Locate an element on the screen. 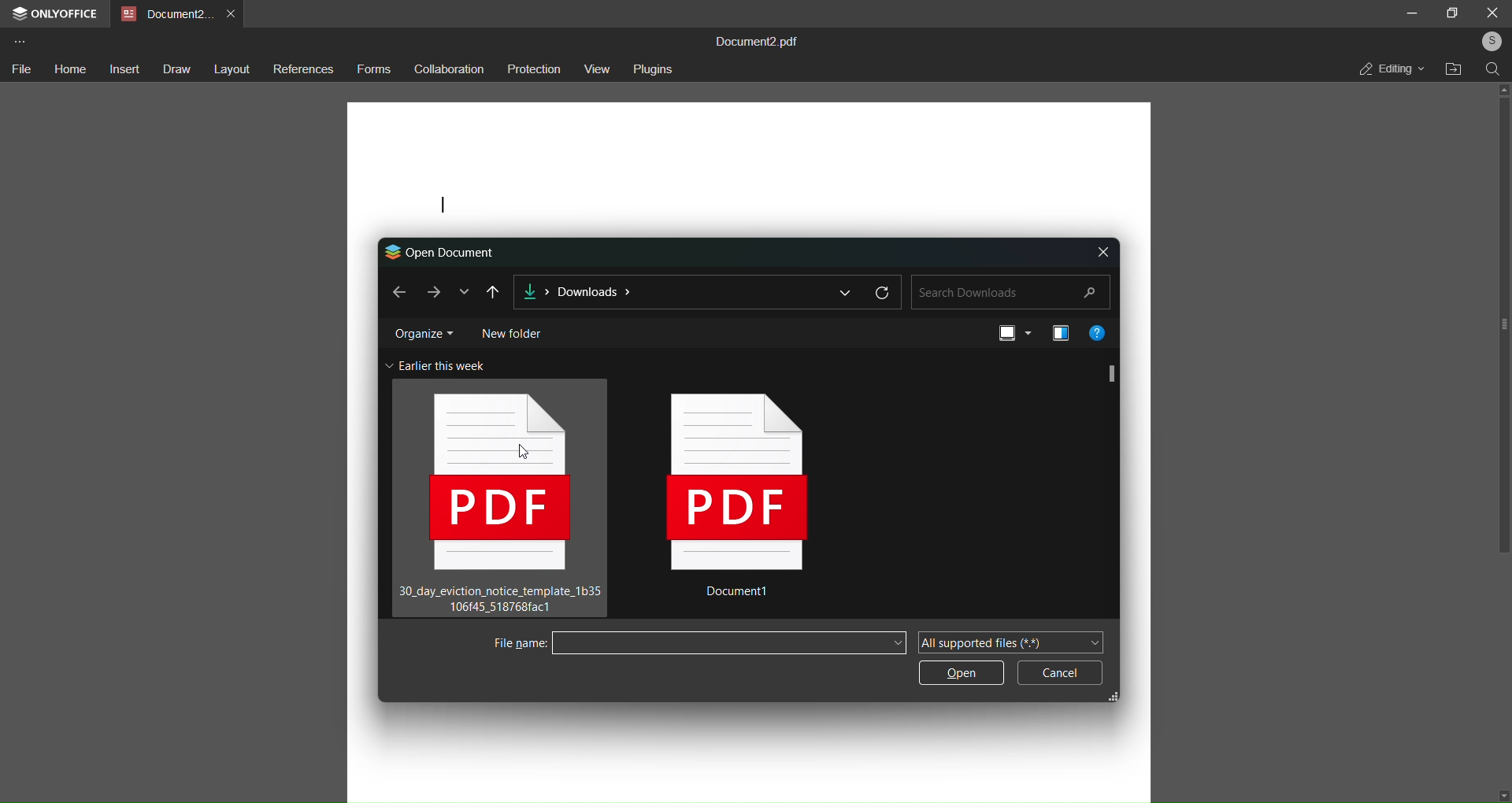  forms is located at coordinates (373, 69).